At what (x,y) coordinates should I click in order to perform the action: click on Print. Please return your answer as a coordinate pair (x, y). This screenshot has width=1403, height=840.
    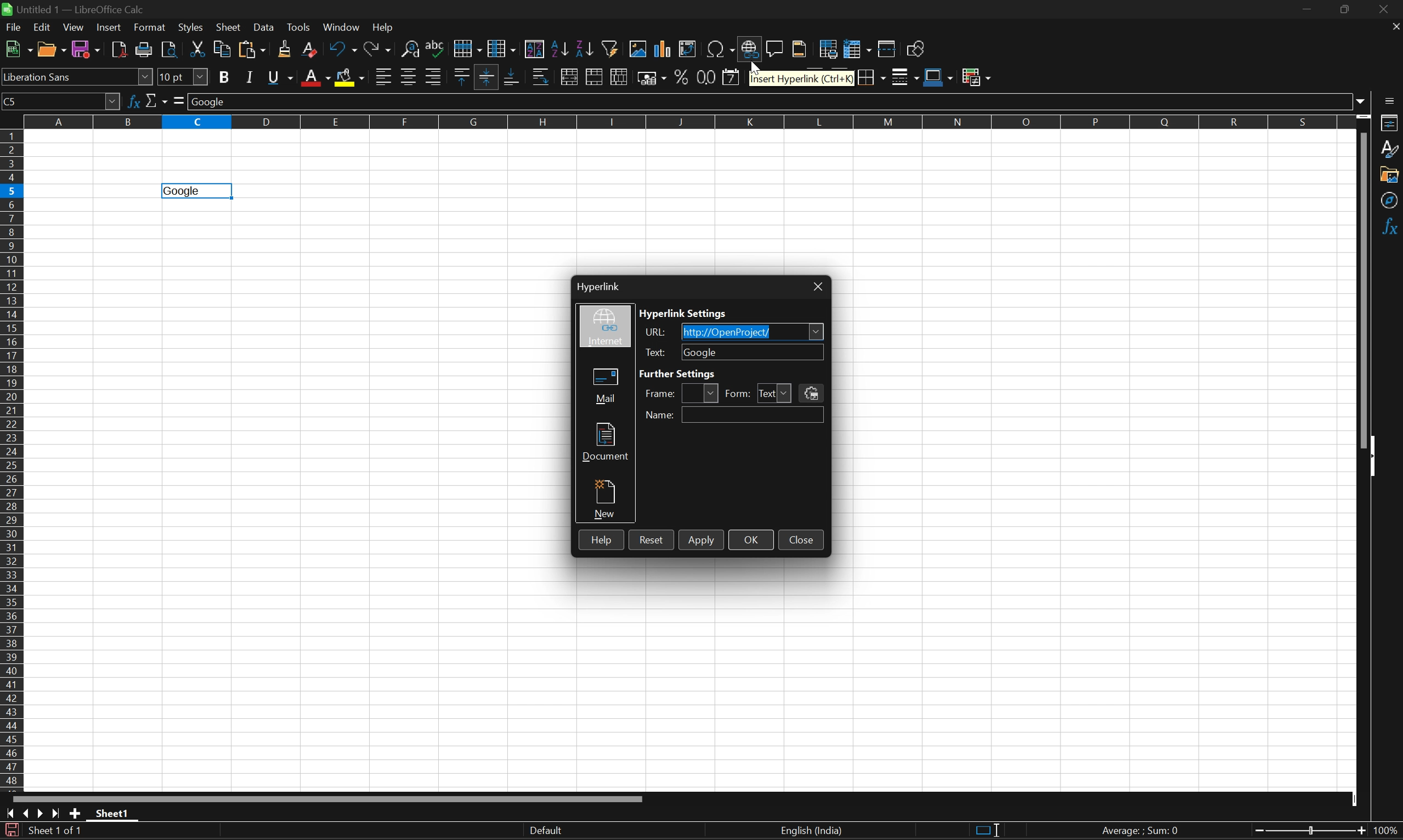
    Looking at the image, I should click on (146, 50).